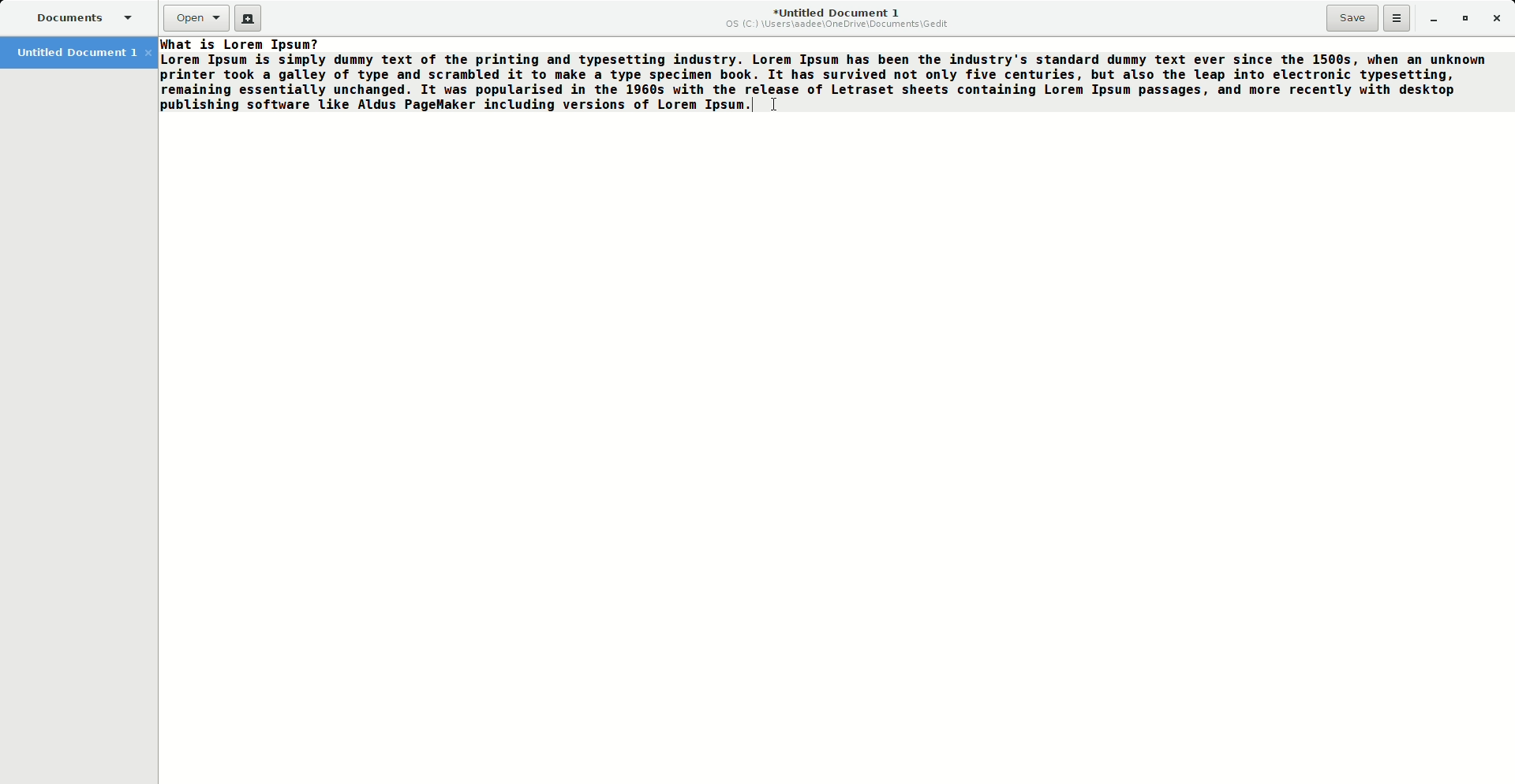 Image resolution: width=1515 pixels, height=784 pixels. What do you see at coordinates (1463, 17) in the screenshot?
I see `Restore` at bounding box center [1463, 17].